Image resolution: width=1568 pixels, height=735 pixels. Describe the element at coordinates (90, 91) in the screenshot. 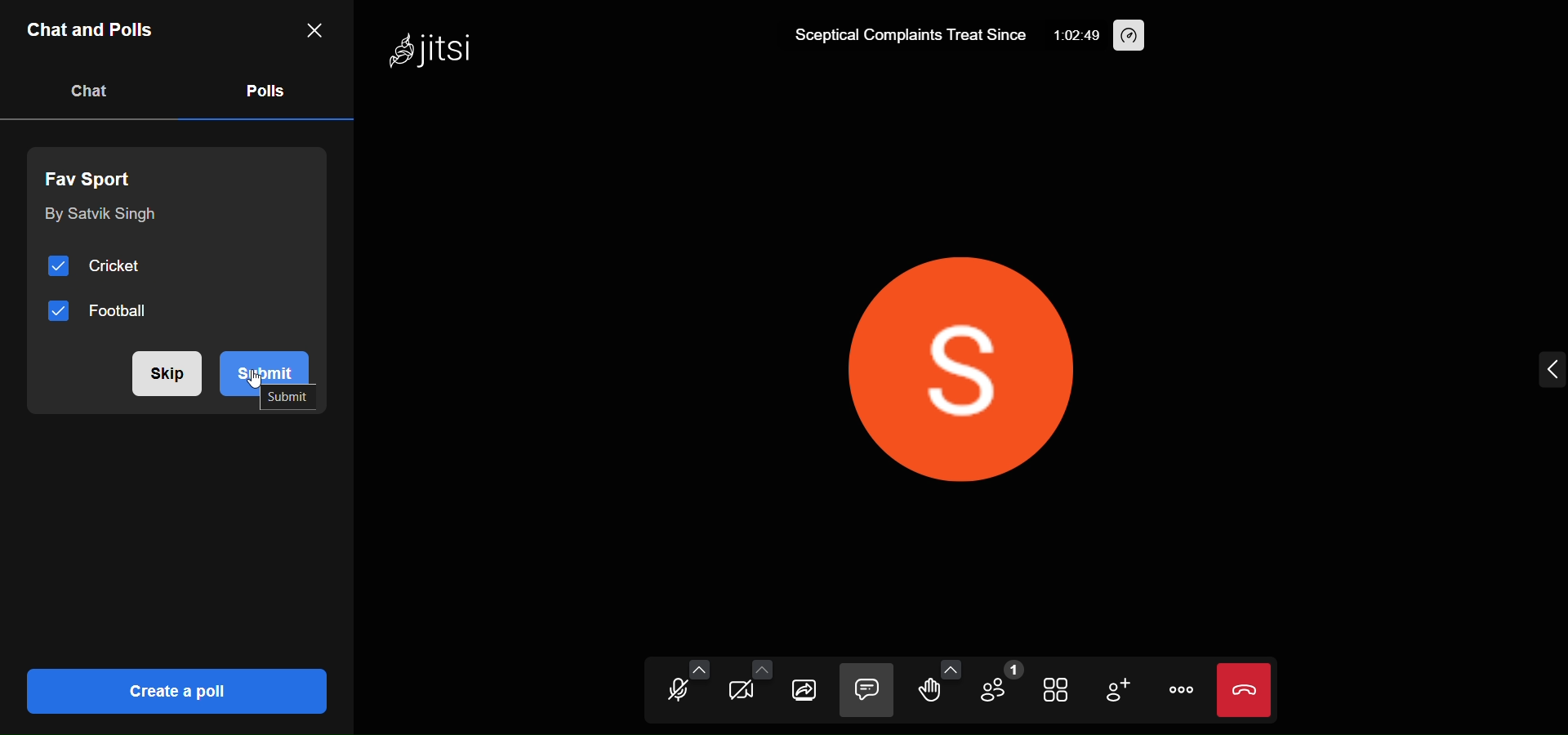

I see `chats` at that location.